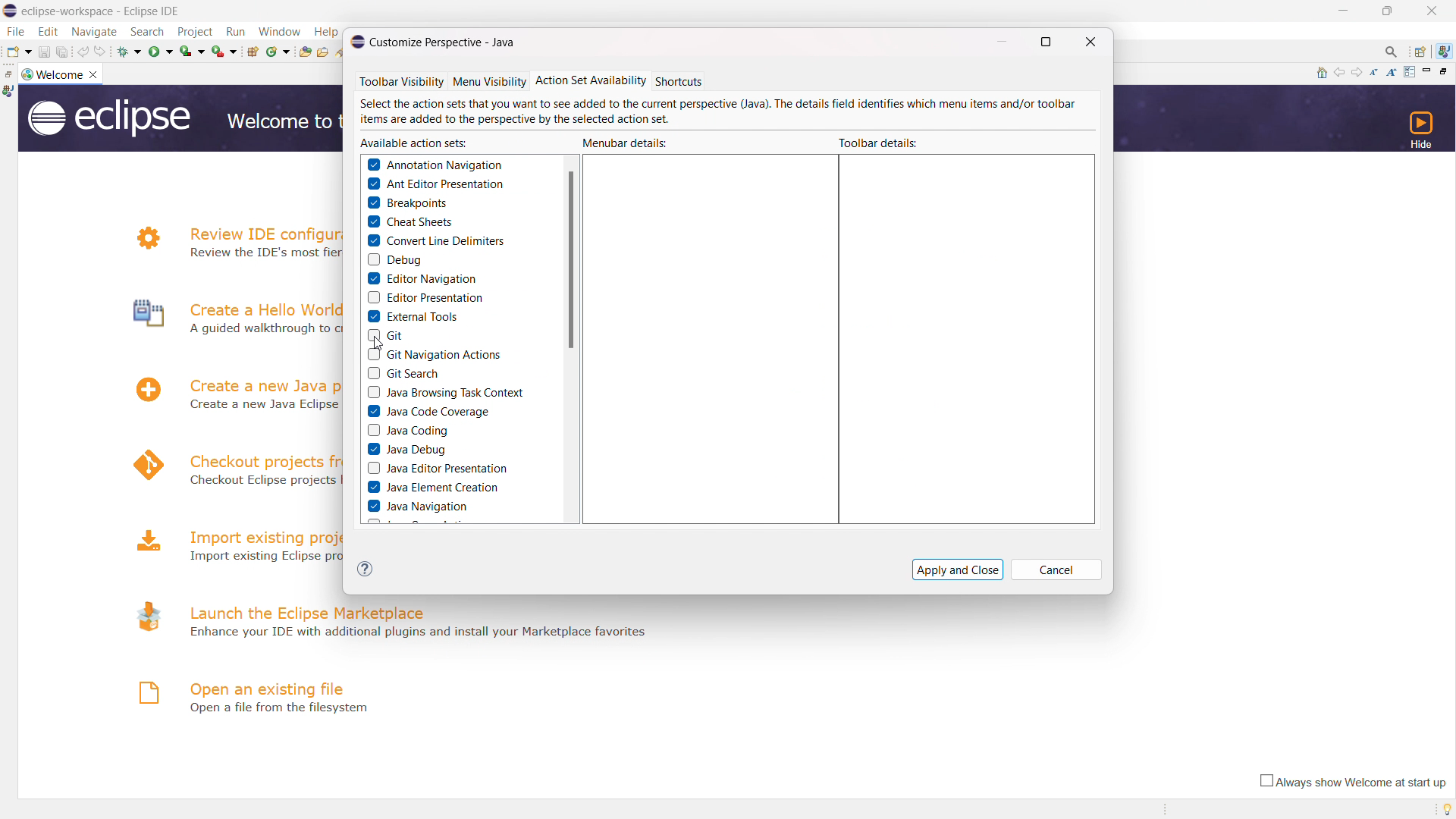 Image resolution: width=1456 pixels, height=819 pixels. Describe the element at coordinates (1320, 73) in the screenshot. I see `home` at that location.